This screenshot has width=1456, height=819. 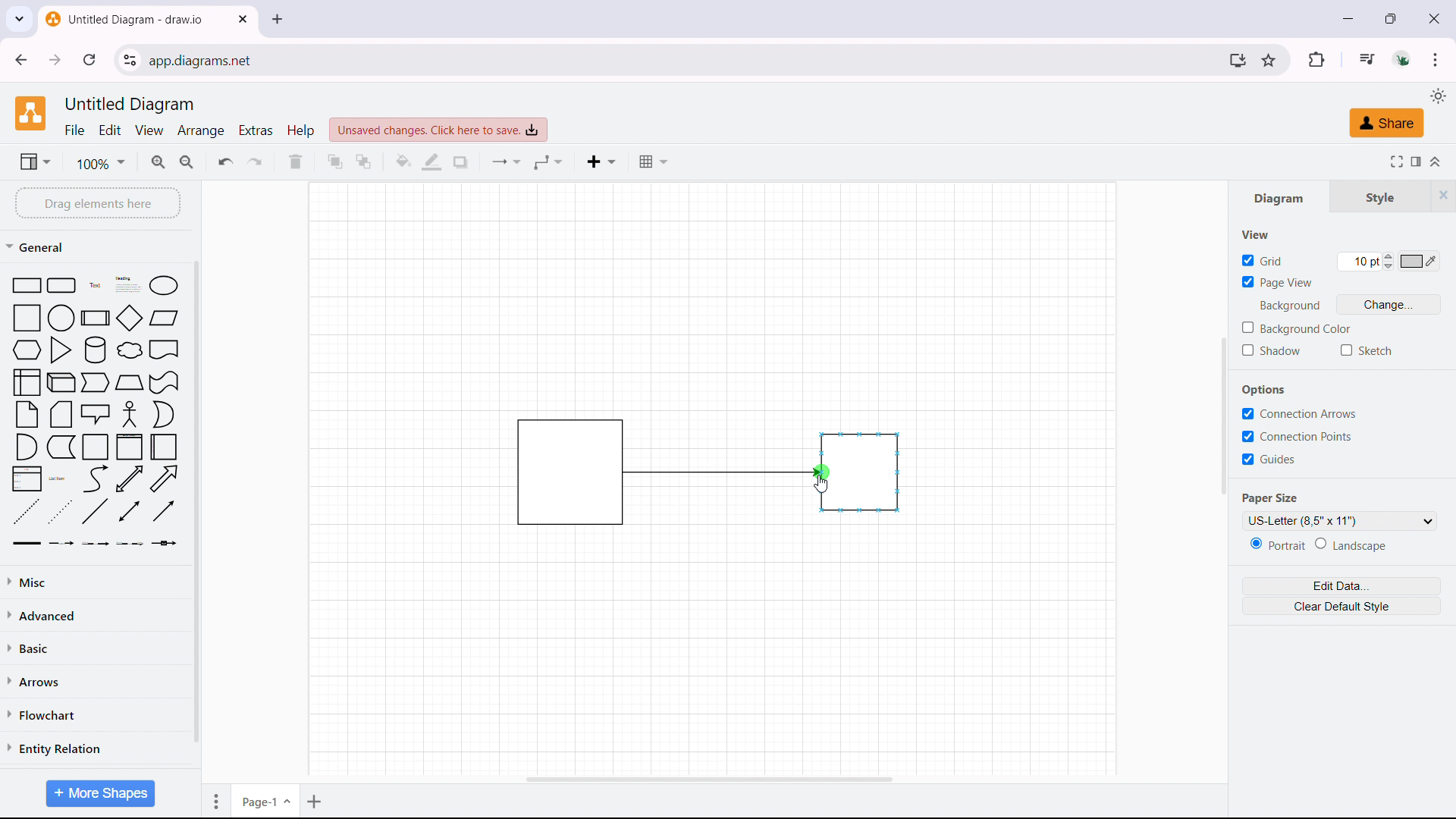 What do you see at coordinates (100, 163) in the screenshot?
I see `zoom level` at bounding box center [100, 163].